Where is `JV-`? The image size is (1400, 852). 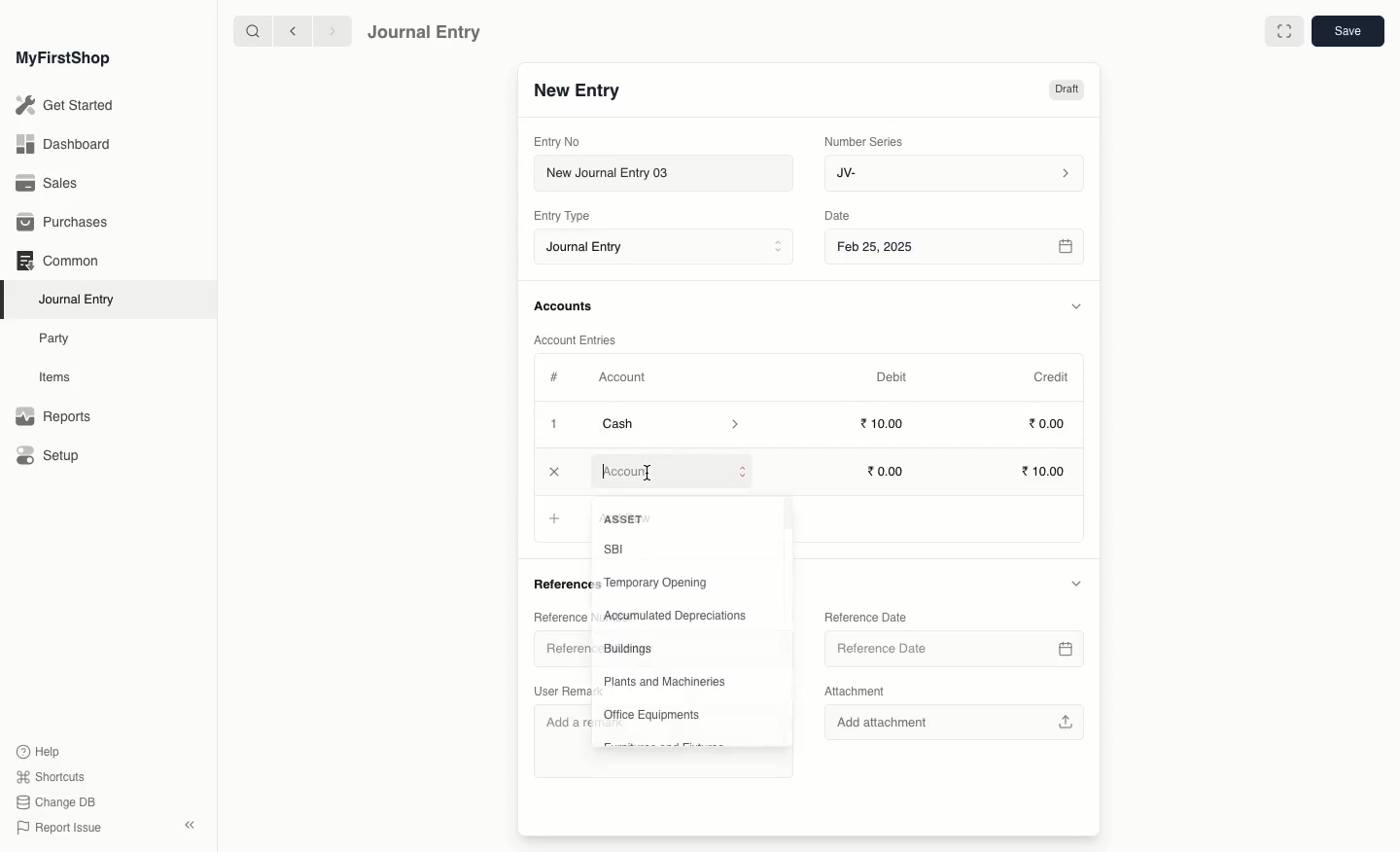 JV- is located at coordinates (952, 173).